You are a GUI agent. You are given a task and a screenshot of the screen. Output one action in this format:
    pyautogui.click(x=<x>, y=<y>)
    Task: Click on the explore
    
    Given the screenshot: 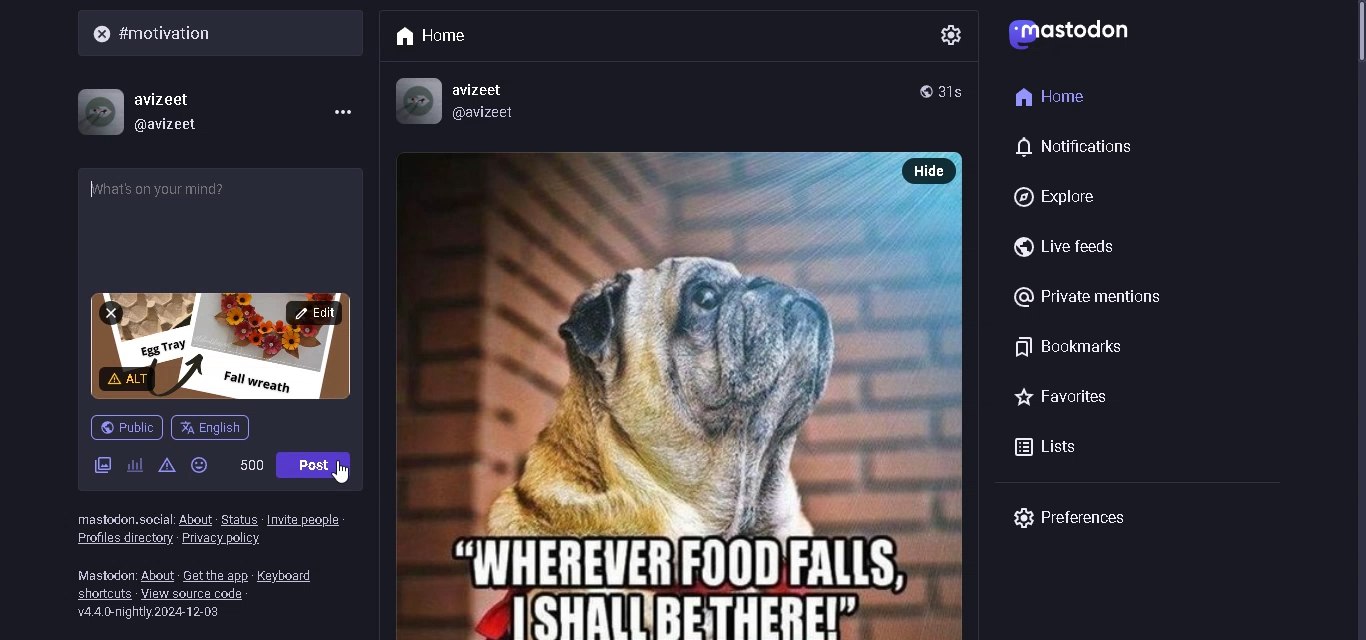 What is the action you would take?
    pyautogui.click(x=1060, y=193)
    